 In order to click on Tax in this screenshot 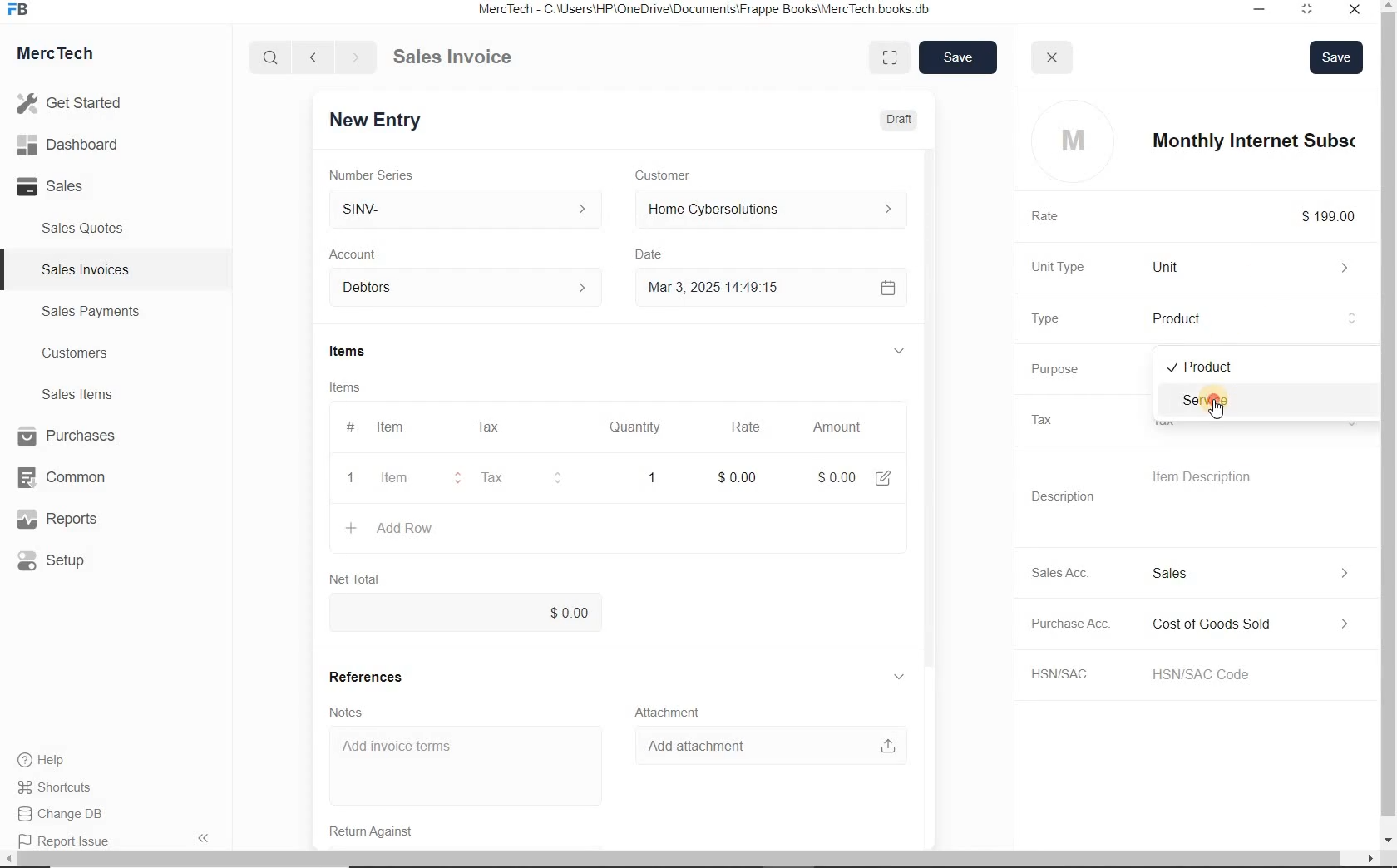, I will do `click(518, 478)`.